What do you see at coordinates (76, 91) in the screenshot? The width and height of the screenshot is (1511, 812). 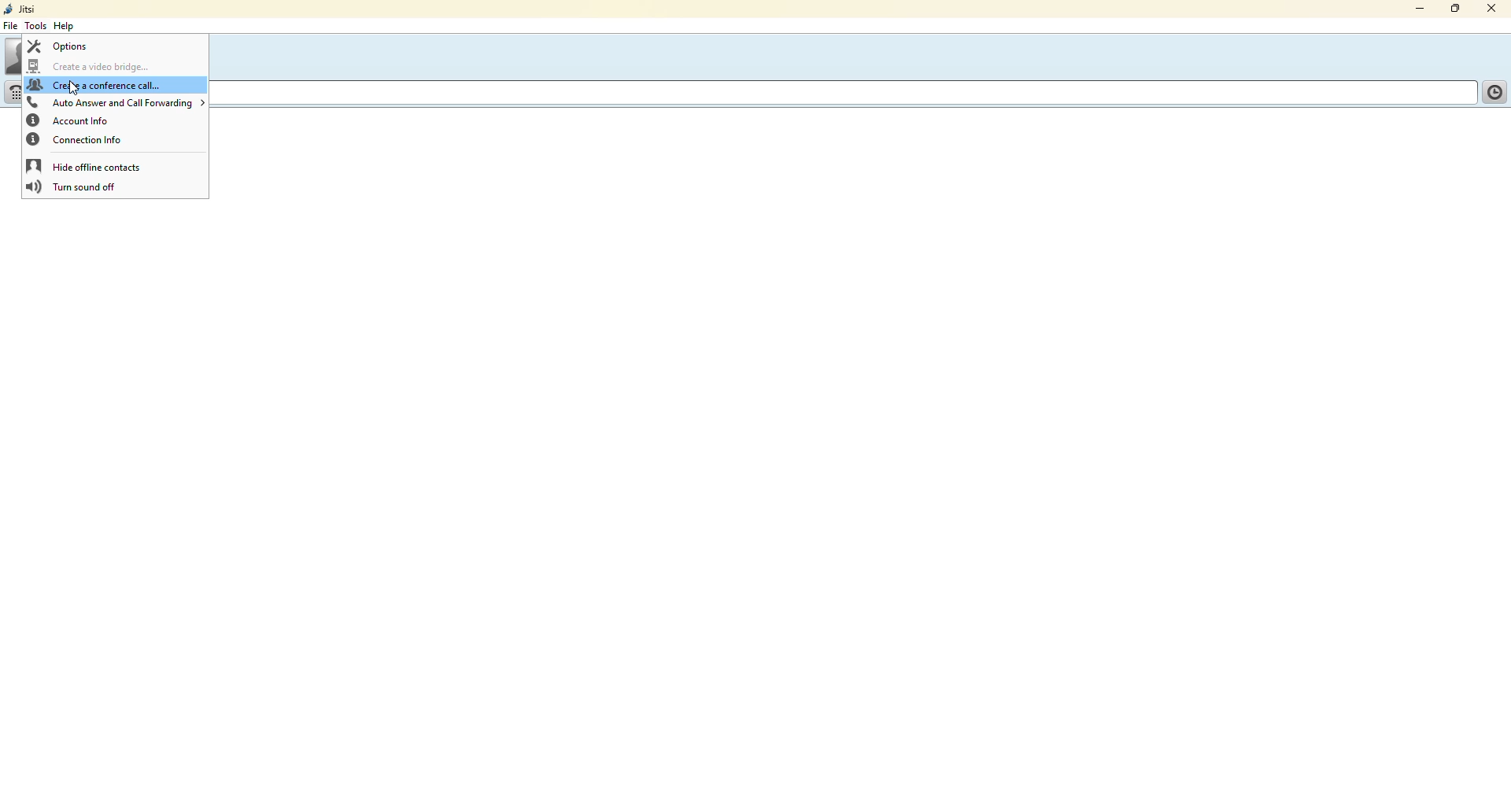 I see `cursor` at bounding box center [76, 91].